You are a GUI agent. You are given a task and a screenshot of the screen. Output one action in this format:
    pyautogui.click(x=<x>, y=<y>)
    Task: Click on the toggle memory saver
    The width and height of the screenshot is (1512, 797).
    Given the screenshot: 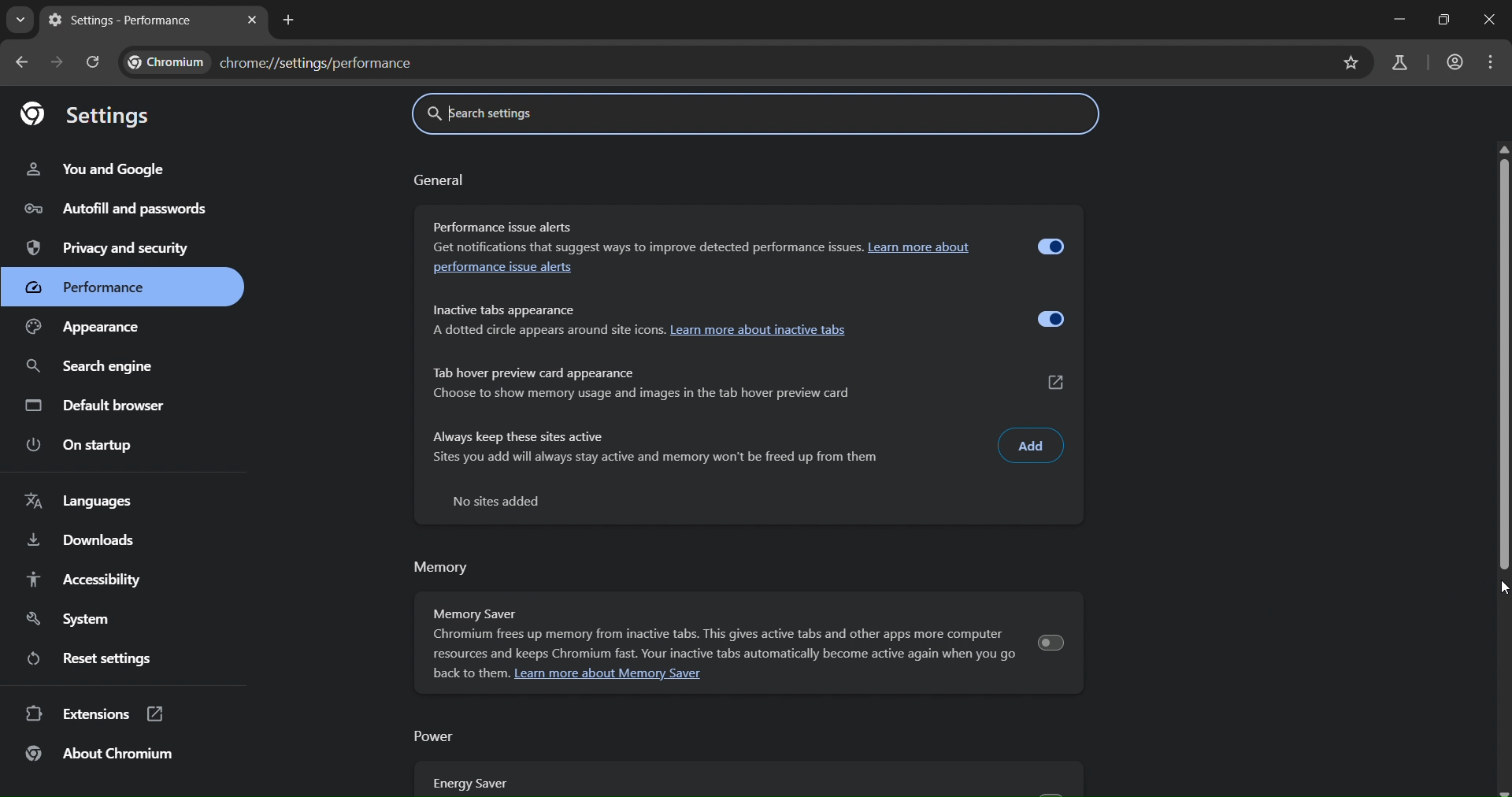 What is the action you would take?
    pyautogui.click(x=1056, y=641)
    